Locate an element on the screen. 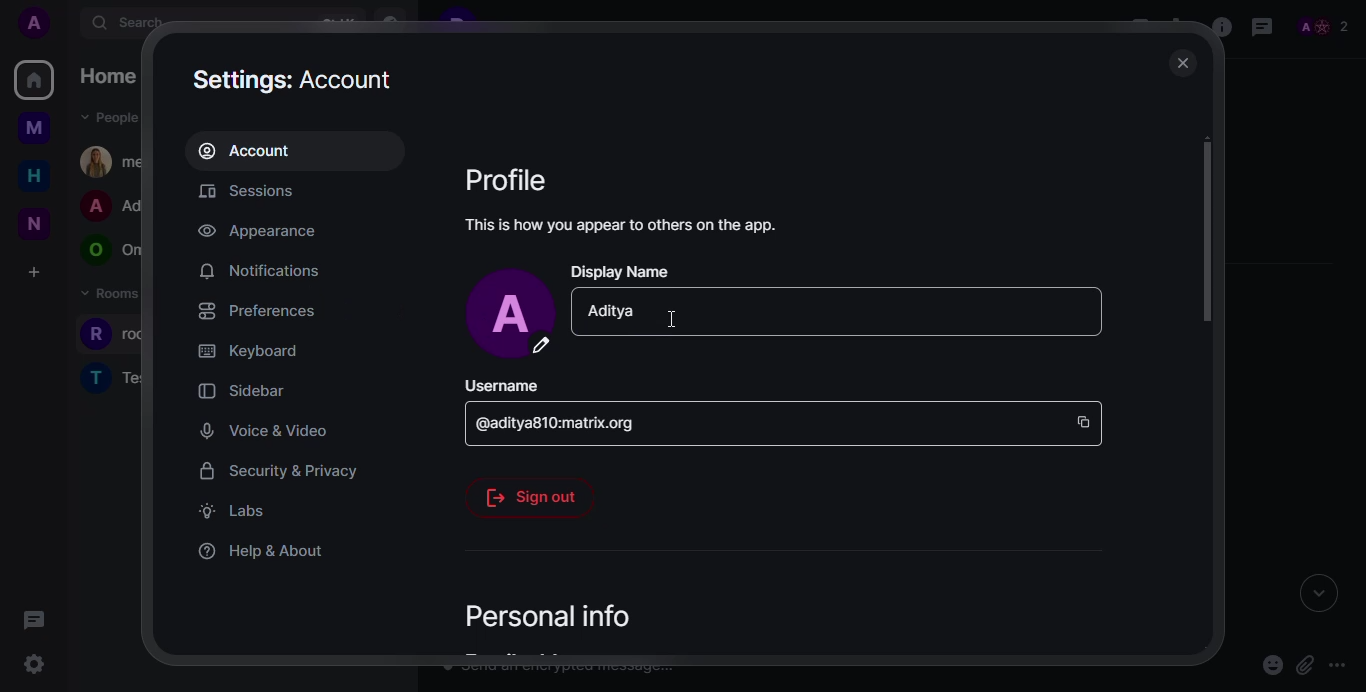  help & about is located at coordinates (260, 550).